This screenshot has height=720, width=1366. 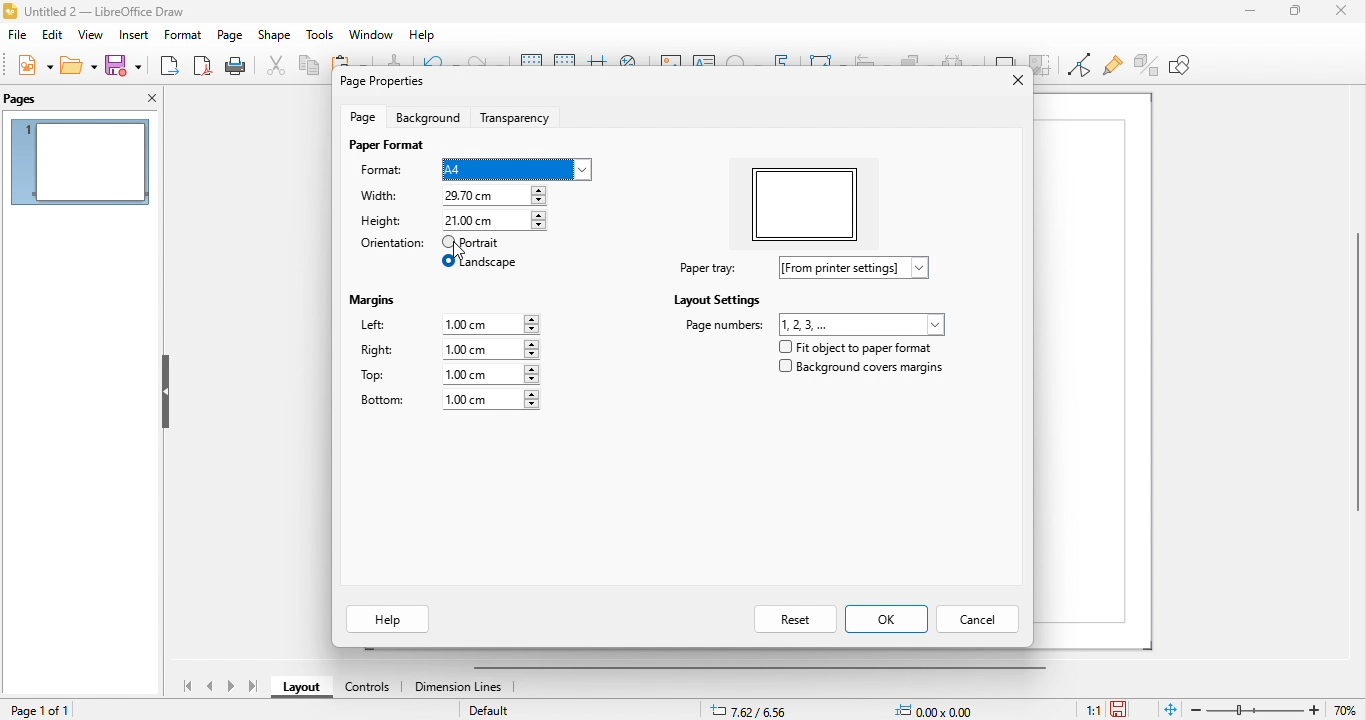 What do you see at coordinates (381, 222) in the screenshot?
I see `height` at bounding box center [381, 222].